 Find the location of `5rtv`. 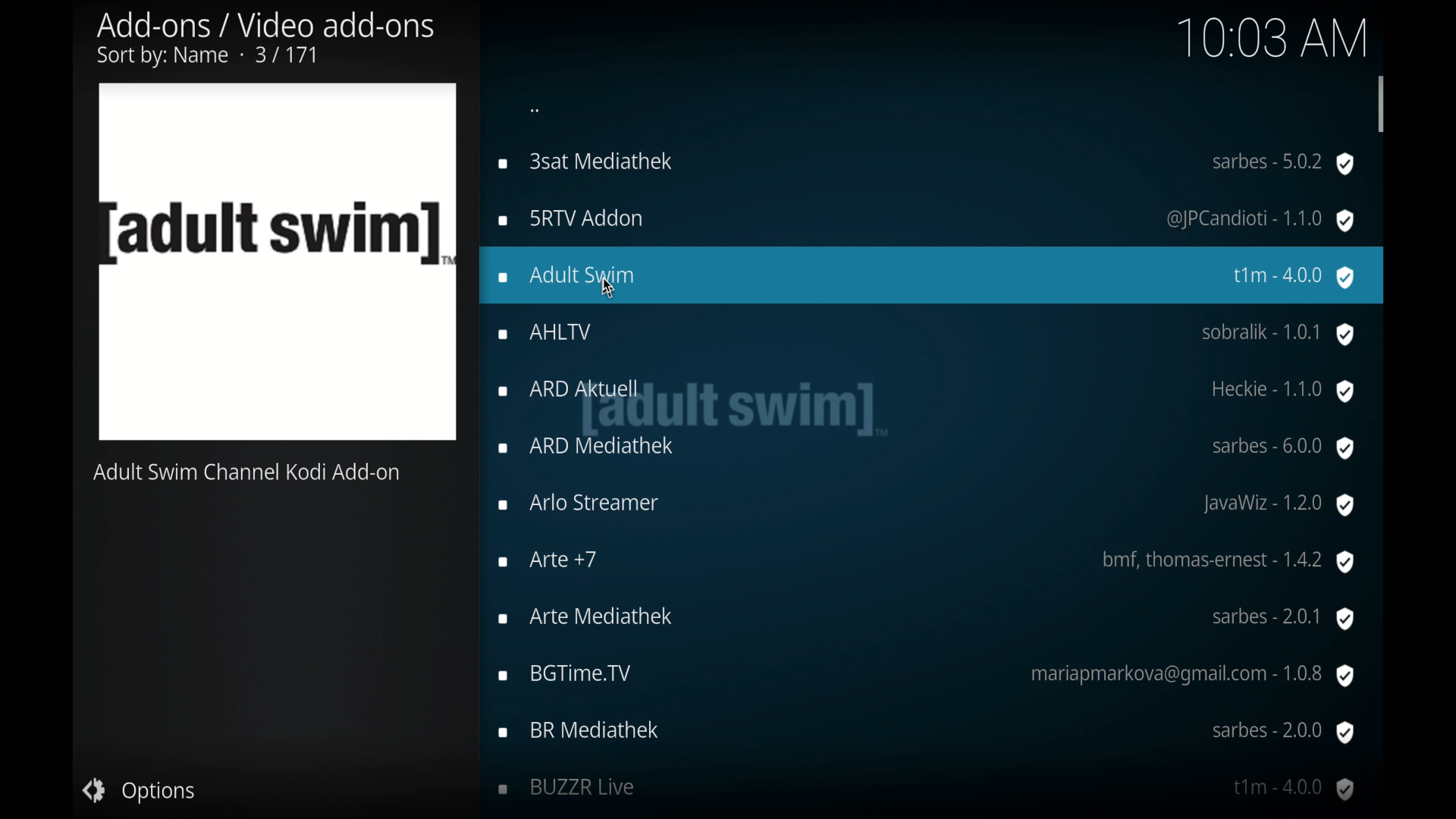

5rtv is located at coordinates (924, 219).